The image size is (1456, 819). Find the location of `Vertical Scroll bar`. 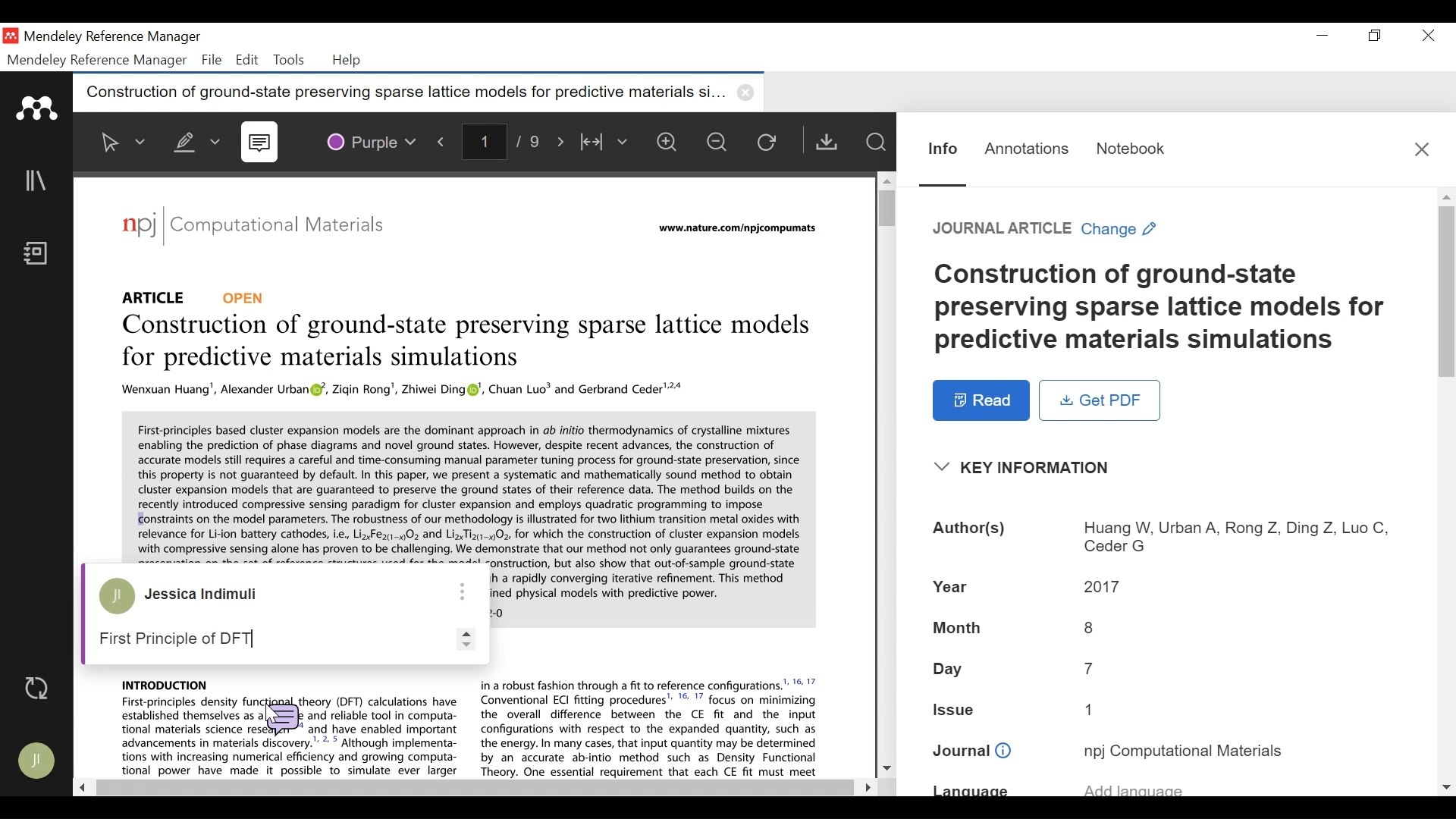

Vertical Scroll bar is located at coordinates (884, 209).